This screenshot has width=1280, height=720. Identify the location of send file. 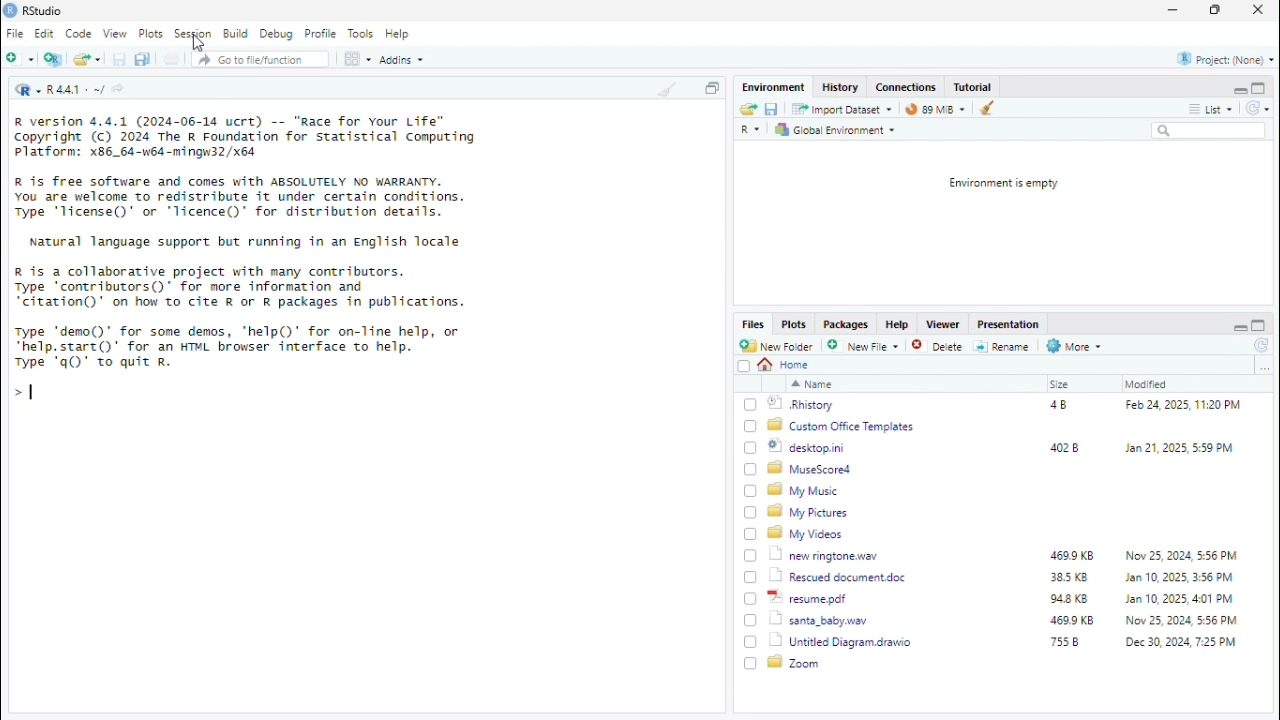
(747, 109).